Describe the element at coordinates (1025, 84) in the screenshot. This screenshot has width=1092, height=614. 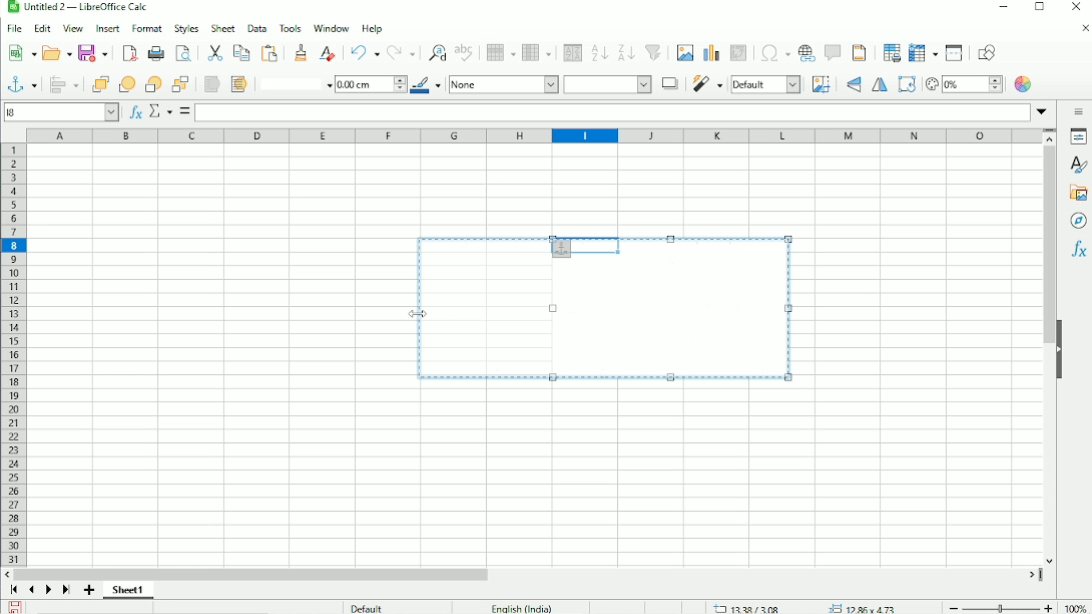
I see `Color` at that location.